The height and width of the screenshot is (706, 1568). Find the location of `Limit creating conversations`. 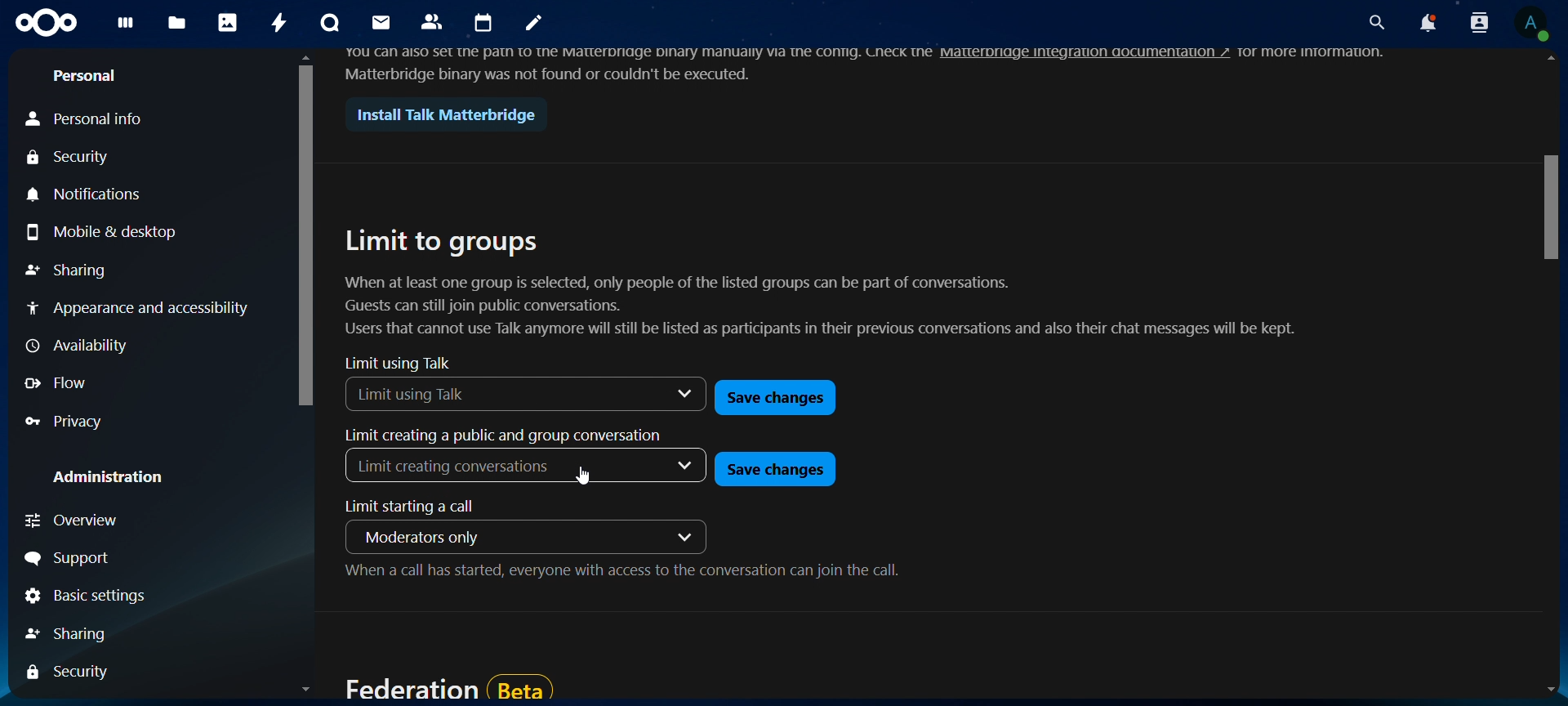

Limit creating conversations is located at coordinates (528, 467).